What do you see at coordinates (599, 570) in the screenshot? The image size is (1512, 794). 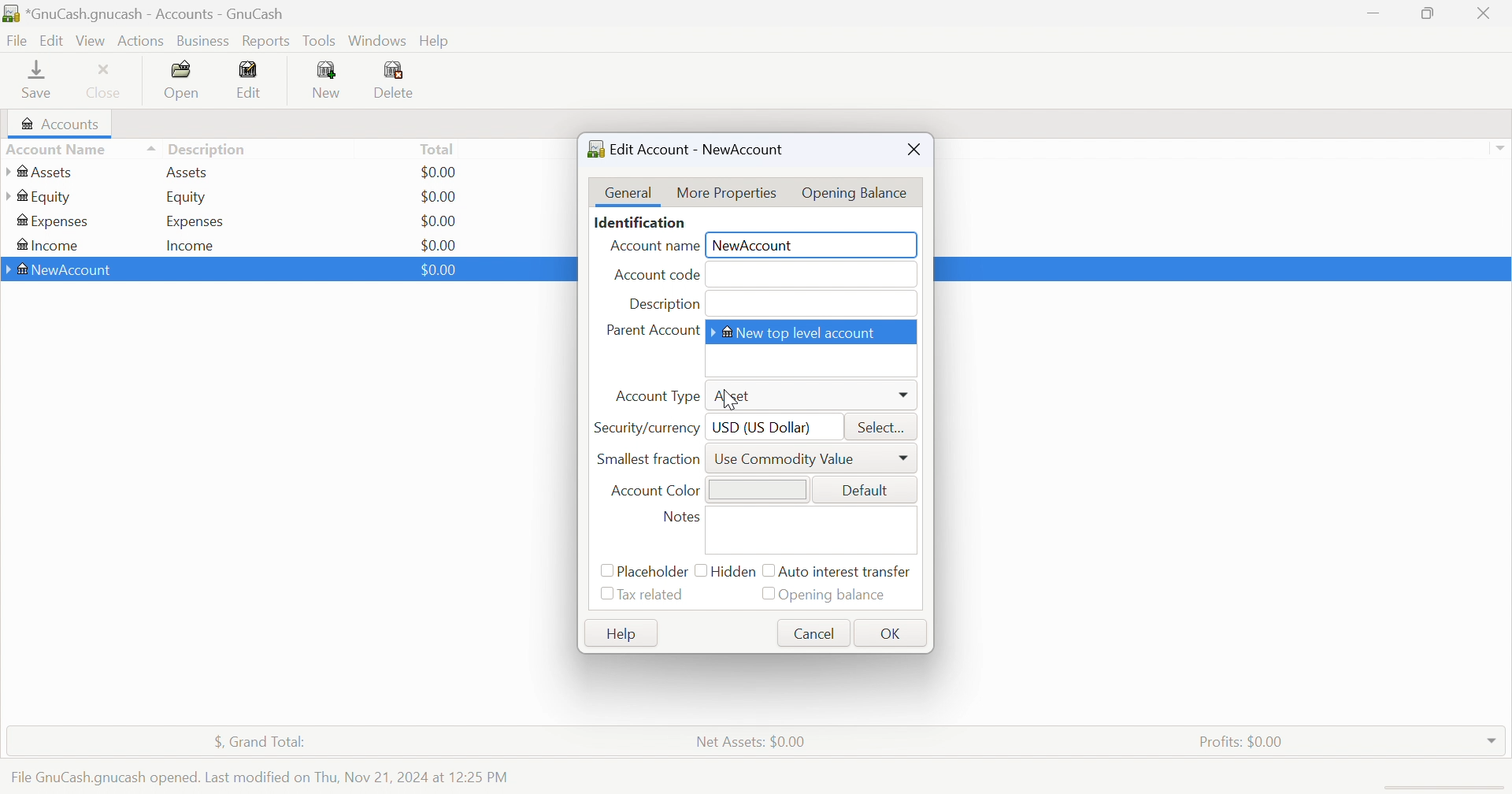 I see `Checkbox` at bounding box center [599, 570].